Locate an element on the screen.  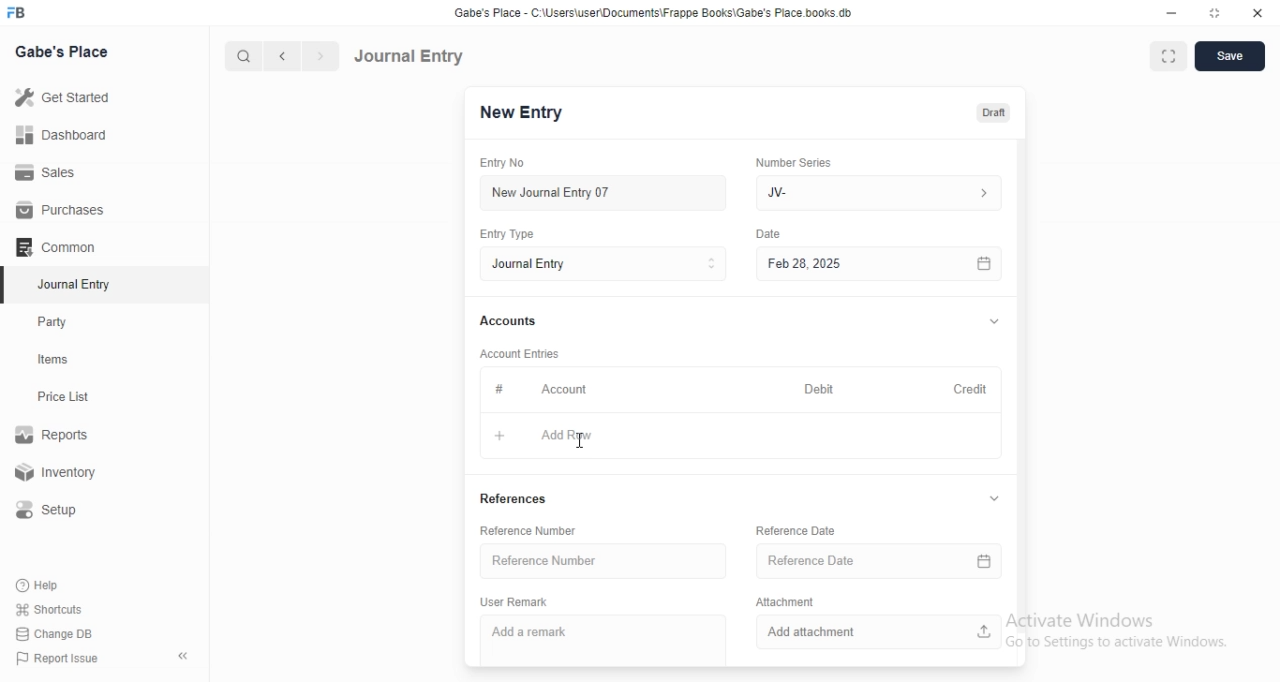
‘Journal Entry is located at coordinates (77, 284).